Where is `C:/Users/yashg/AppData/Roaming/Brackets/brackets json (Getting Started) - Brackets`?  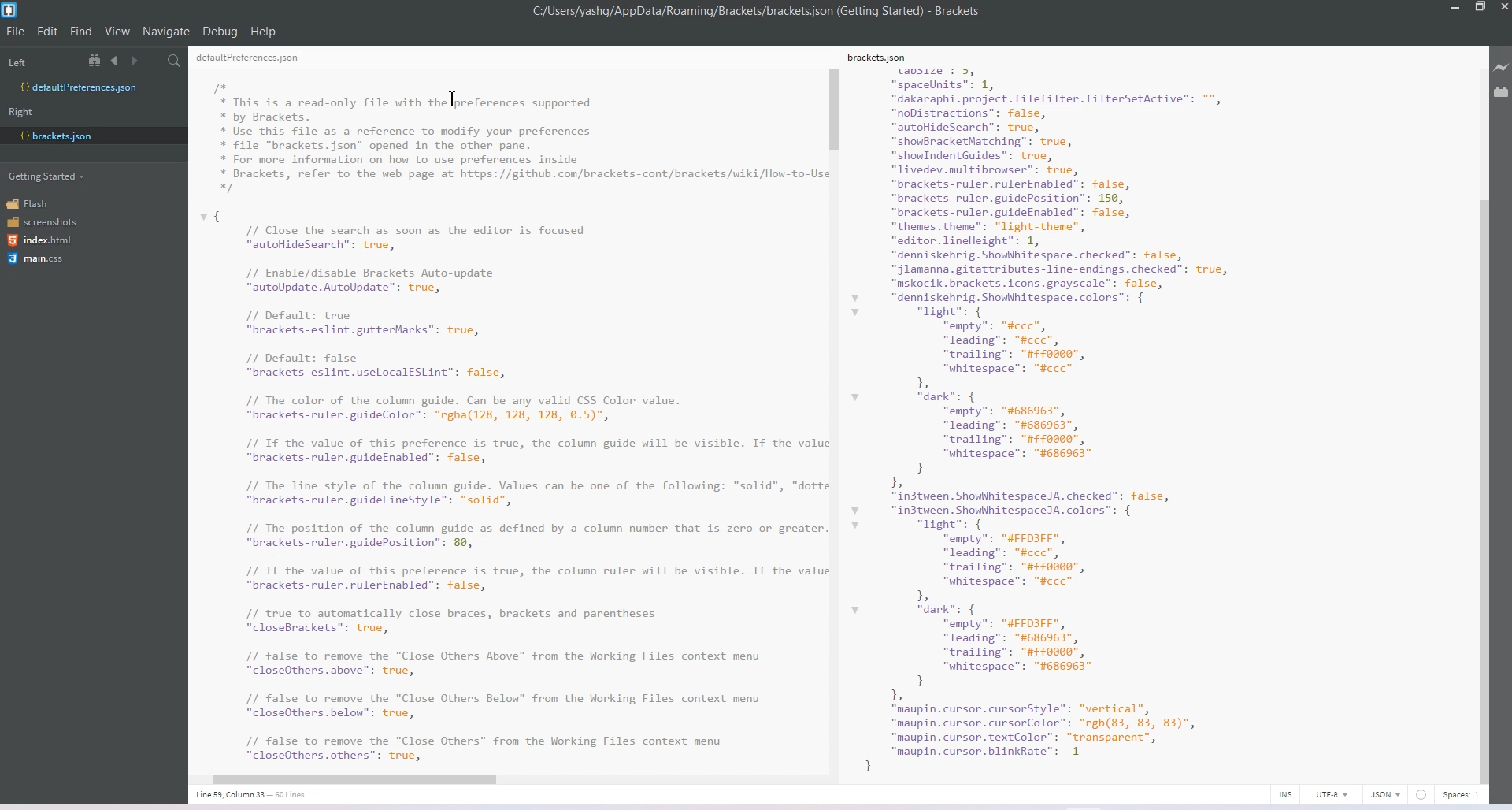 C:/Users/yashg/AppData/Roaming/Brackets/brackets json (Getting Started) - Brackets is located at coordinates (758, 11).